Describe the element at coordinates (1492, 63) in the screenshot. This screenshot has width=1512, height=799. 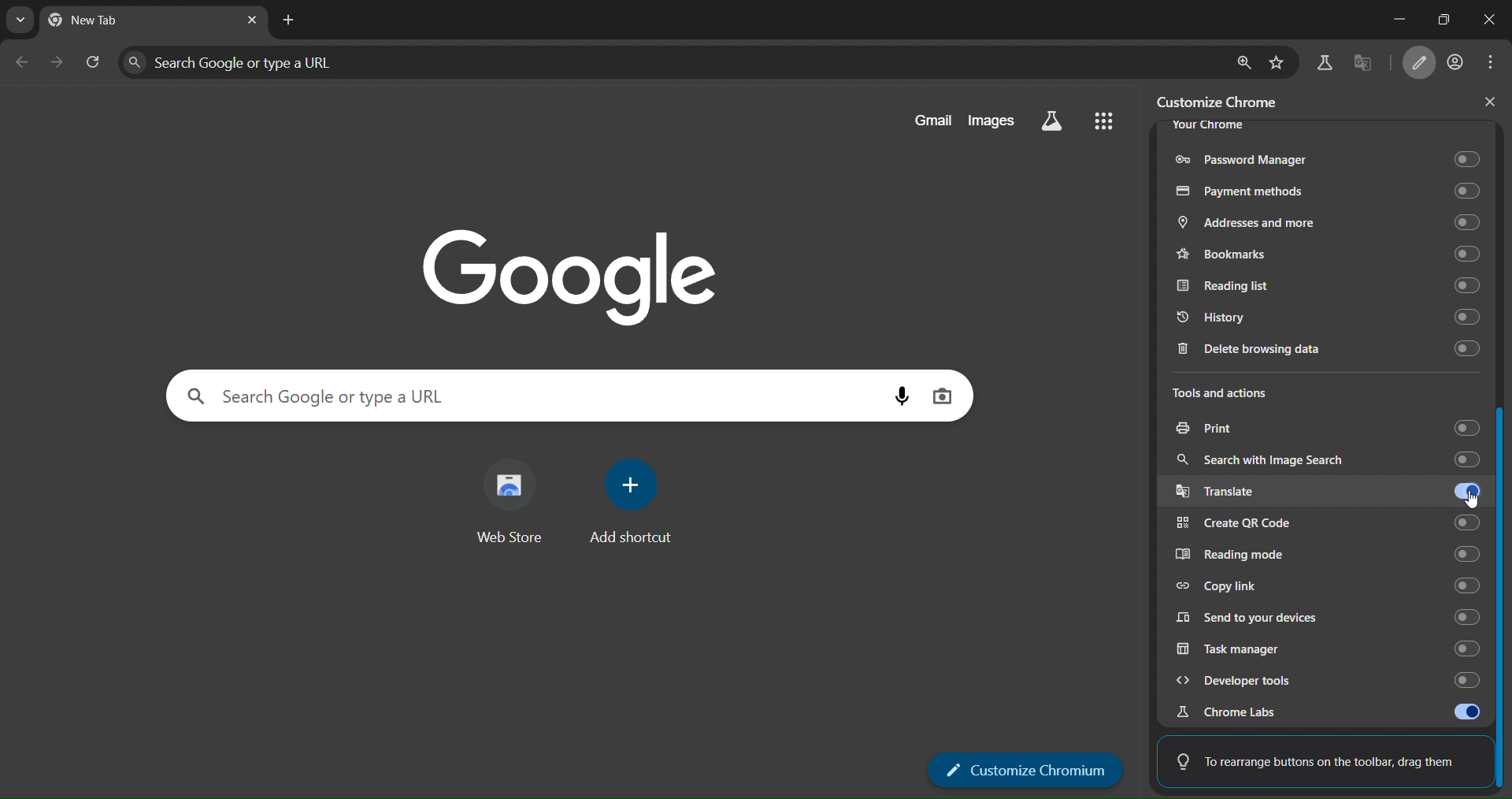
I see `menu` at that location.